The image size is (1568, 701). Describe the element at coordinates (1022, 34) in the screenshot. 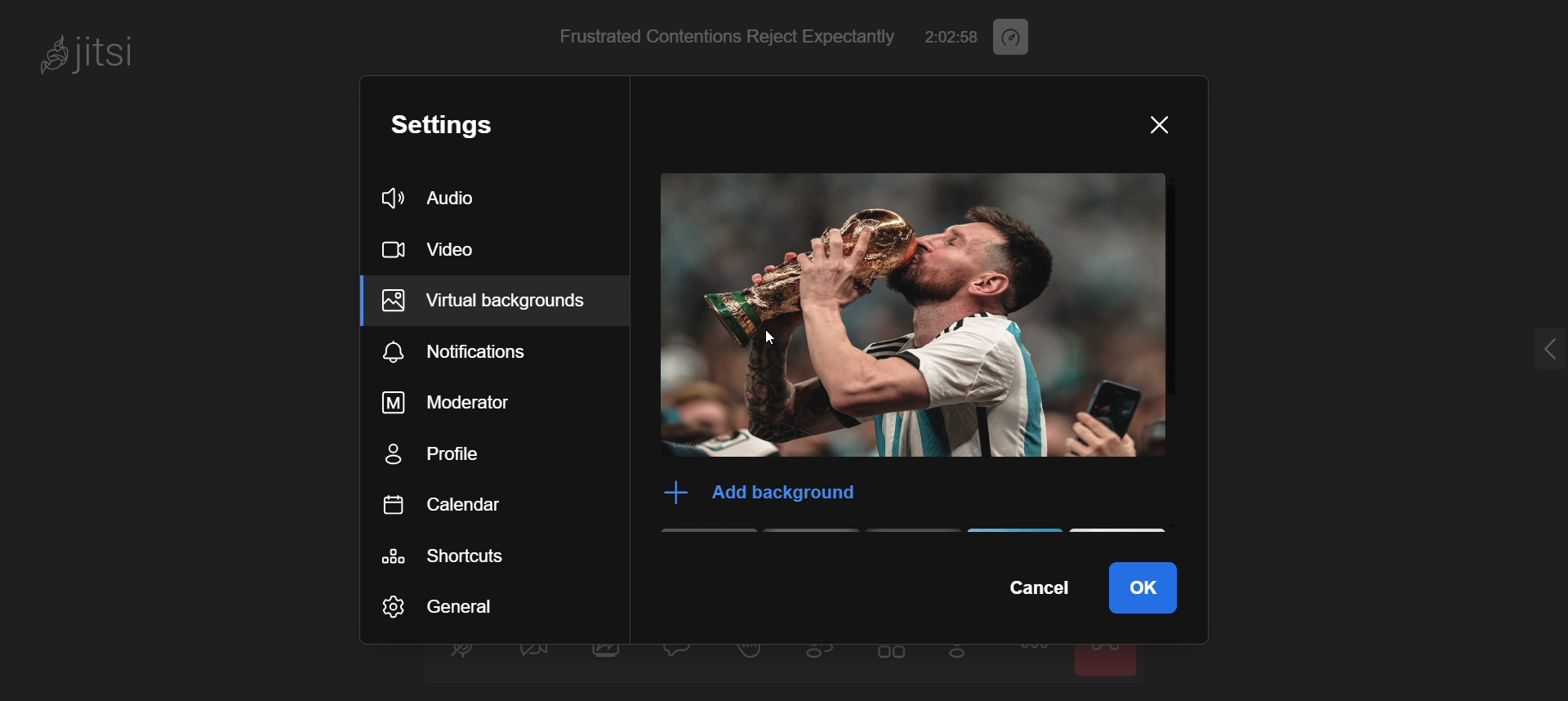

I see `performance setting` at that location.